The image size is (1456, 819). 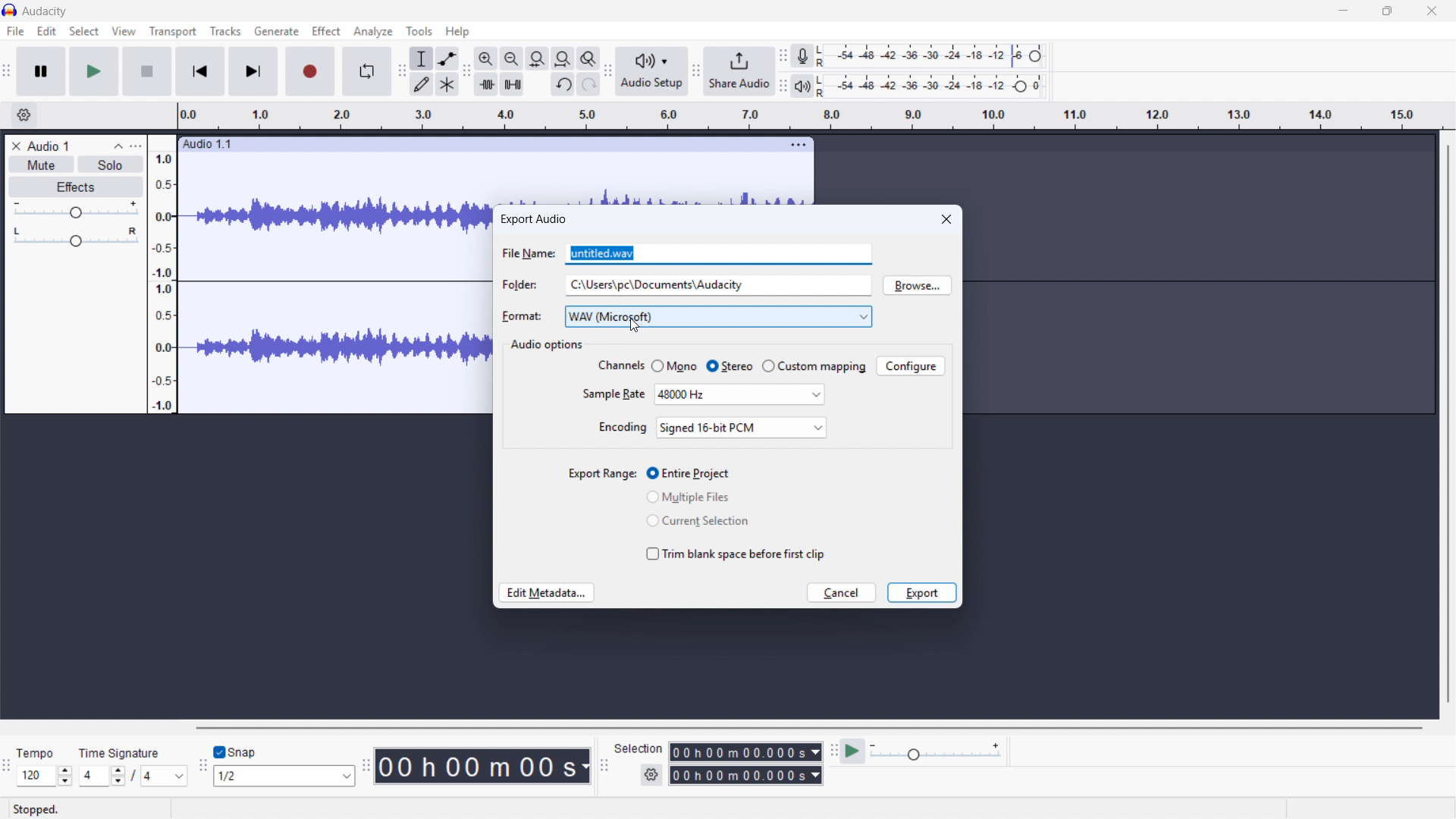 What do you see at coordinates (167, 777) in the screenshot?
I see `Set time signature ` at bounding box center [167, 777].